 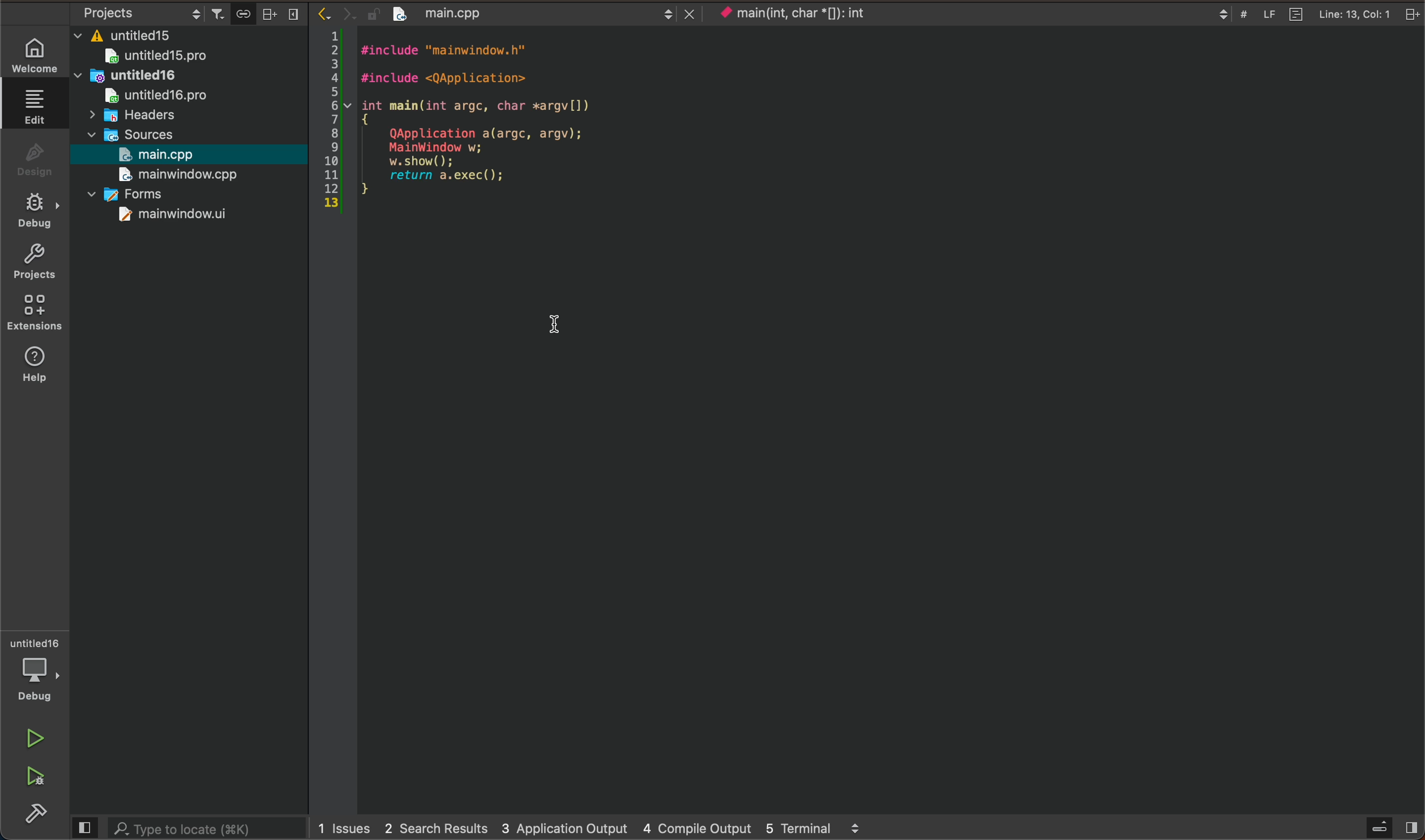 What do you see at coordinates (172, 216) in the screenshot?
I see `mainwindow` at bounding box center [172, 216].